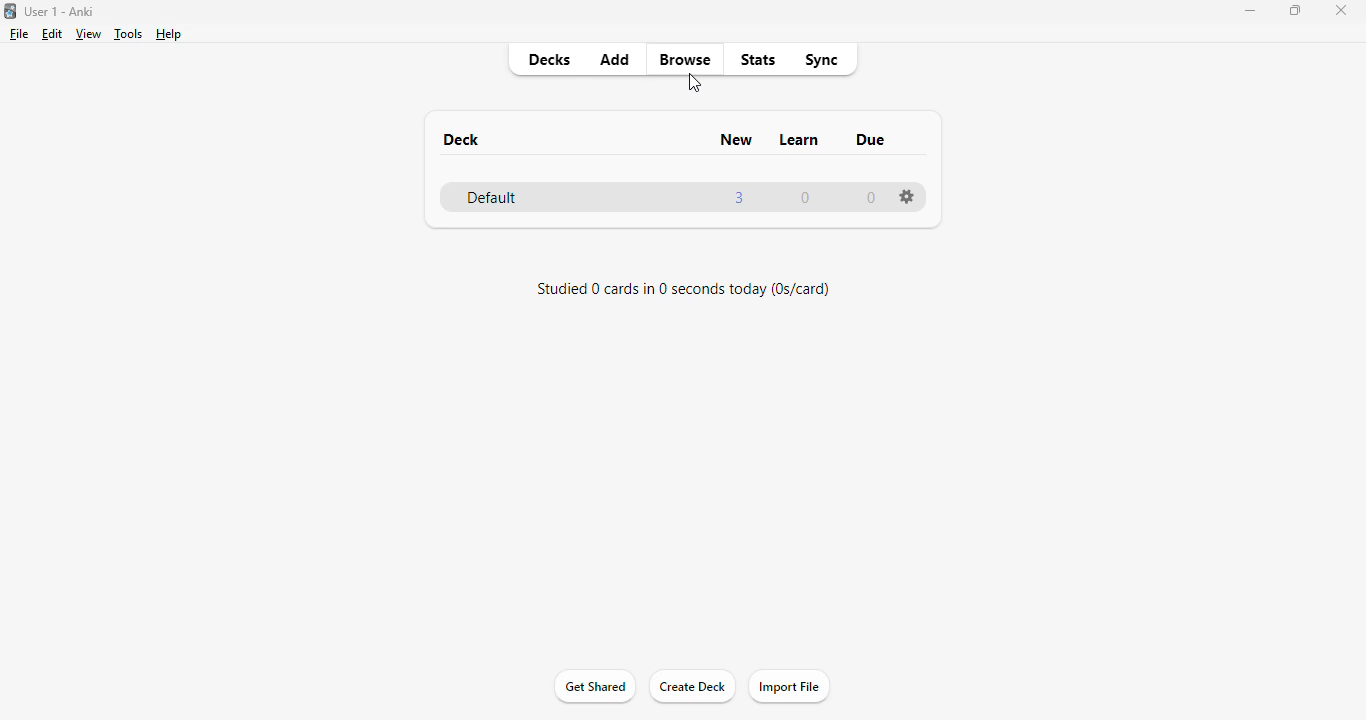  Describe the element at coordinates (1296, 10) in the screenshot. I see `maximize` at that location.